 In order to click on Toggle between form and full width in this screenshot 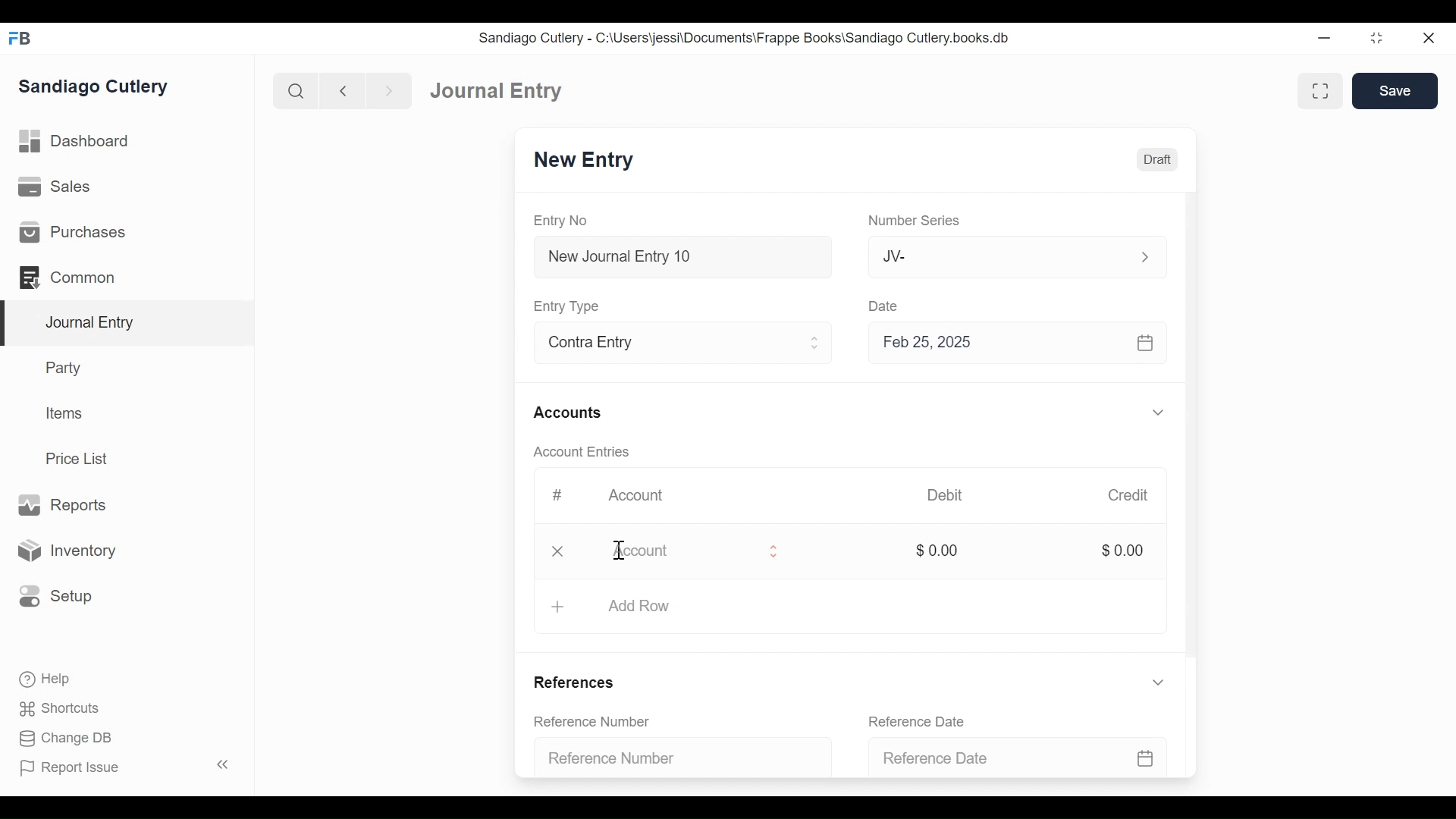, I will do `click(1318, 89)`.